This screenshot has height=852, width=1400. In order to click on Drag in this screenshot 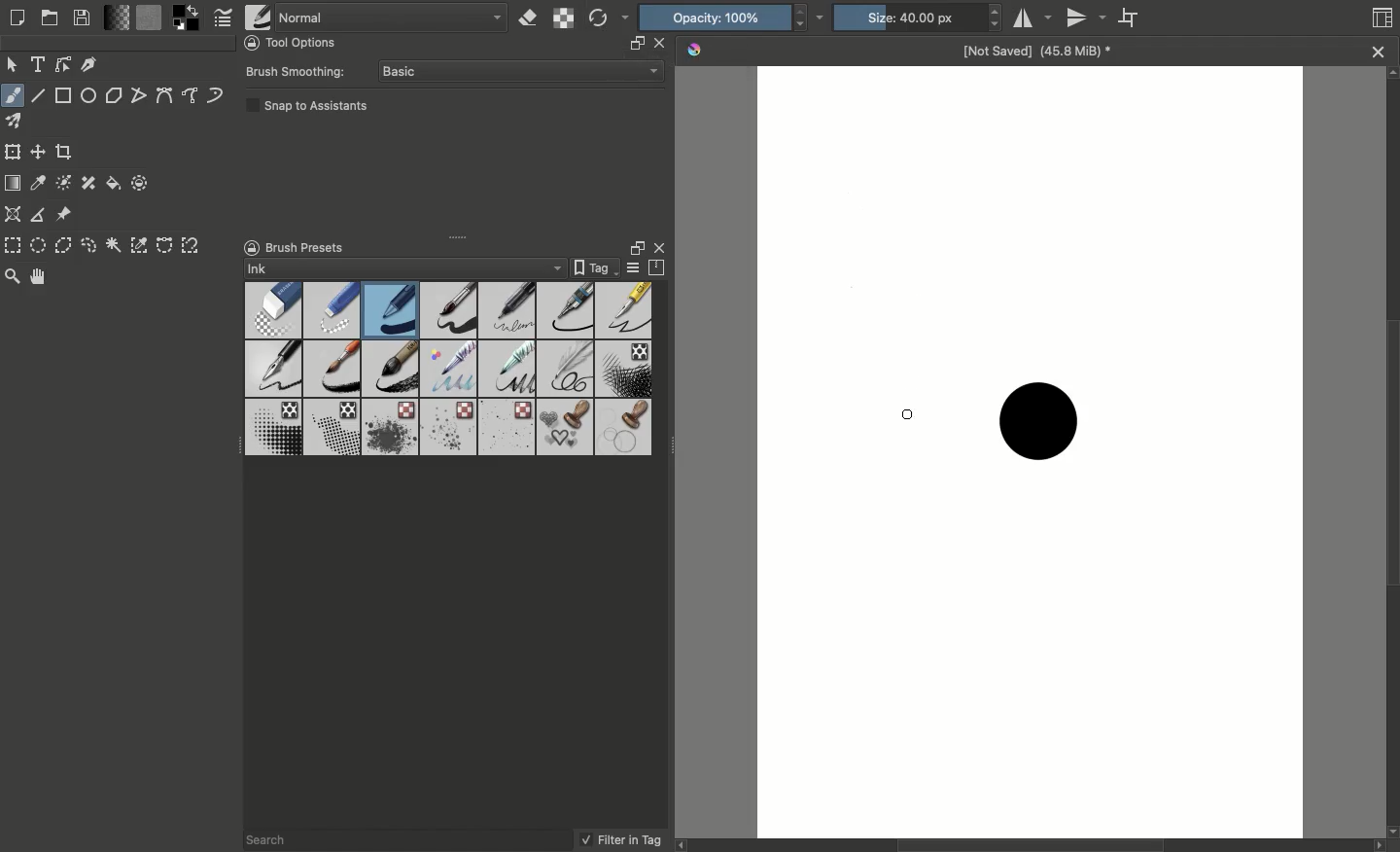, I will do `click(463, 235)`.